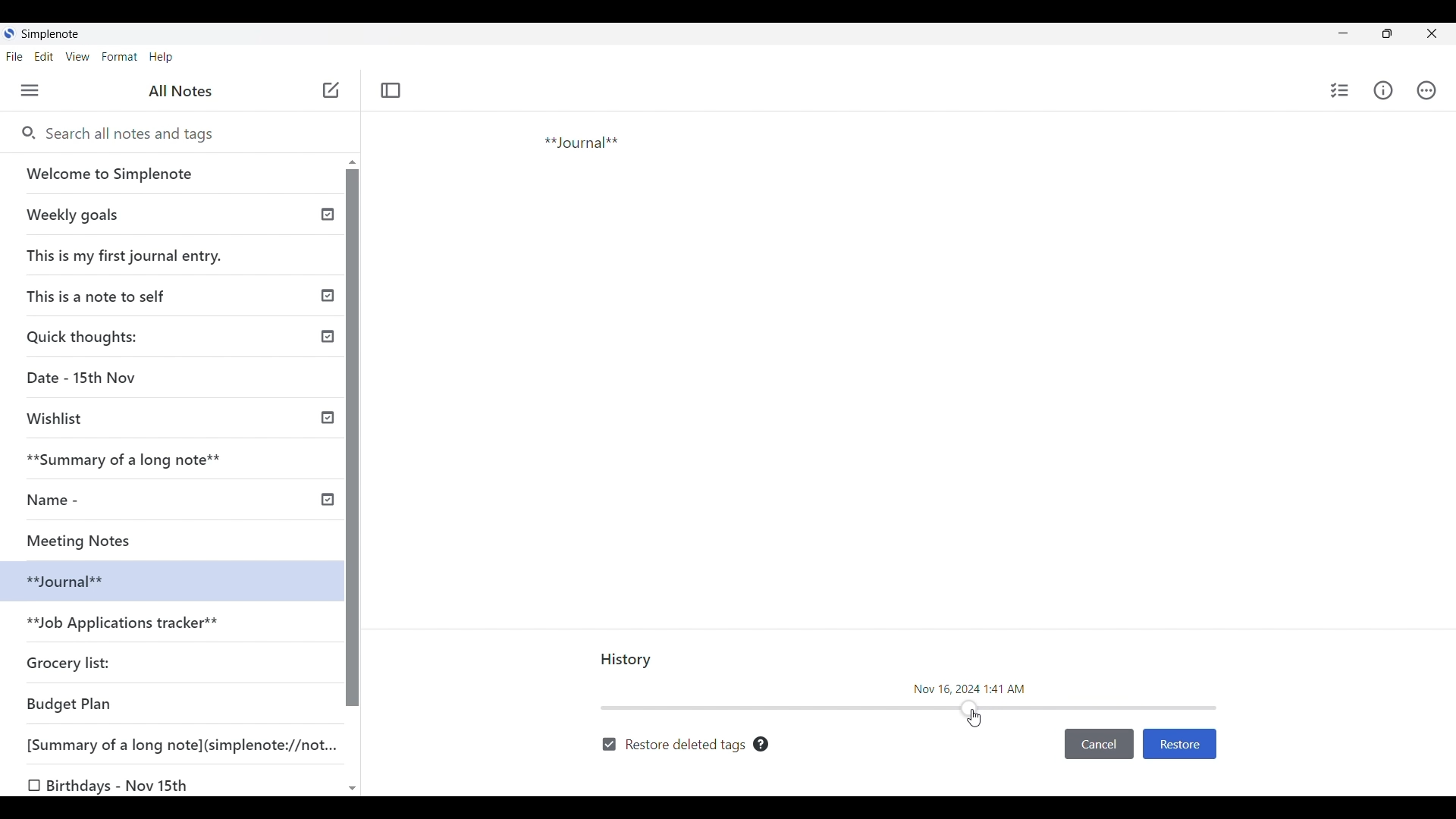 The image size is (1456, 819). I want to click on Wishlist, so click(61, 419).